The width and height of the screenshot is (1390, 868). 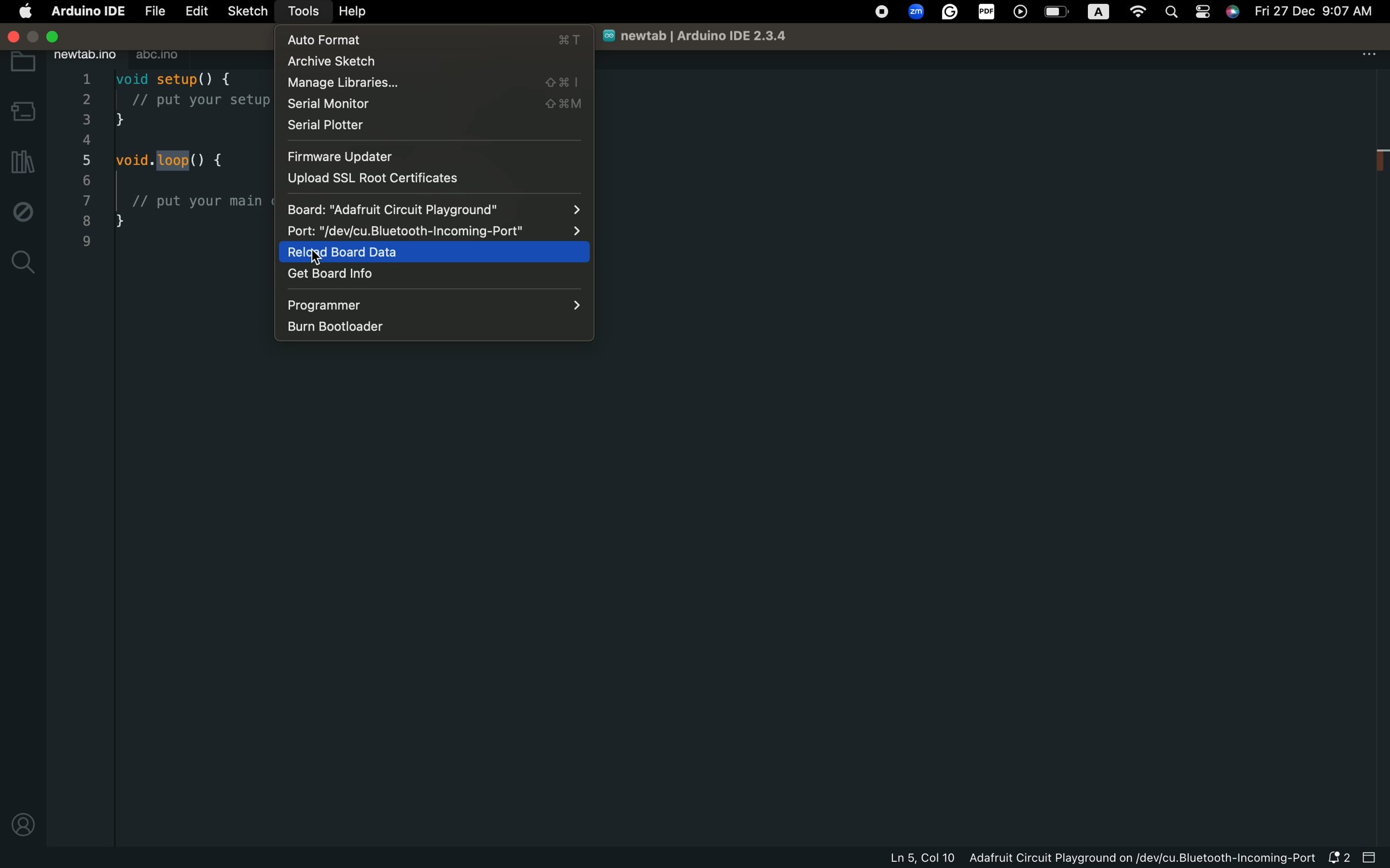 What do you see at coordinates (435, 82) in the screenshot?
I see `manage libraries` at bounding box center [435, 82].